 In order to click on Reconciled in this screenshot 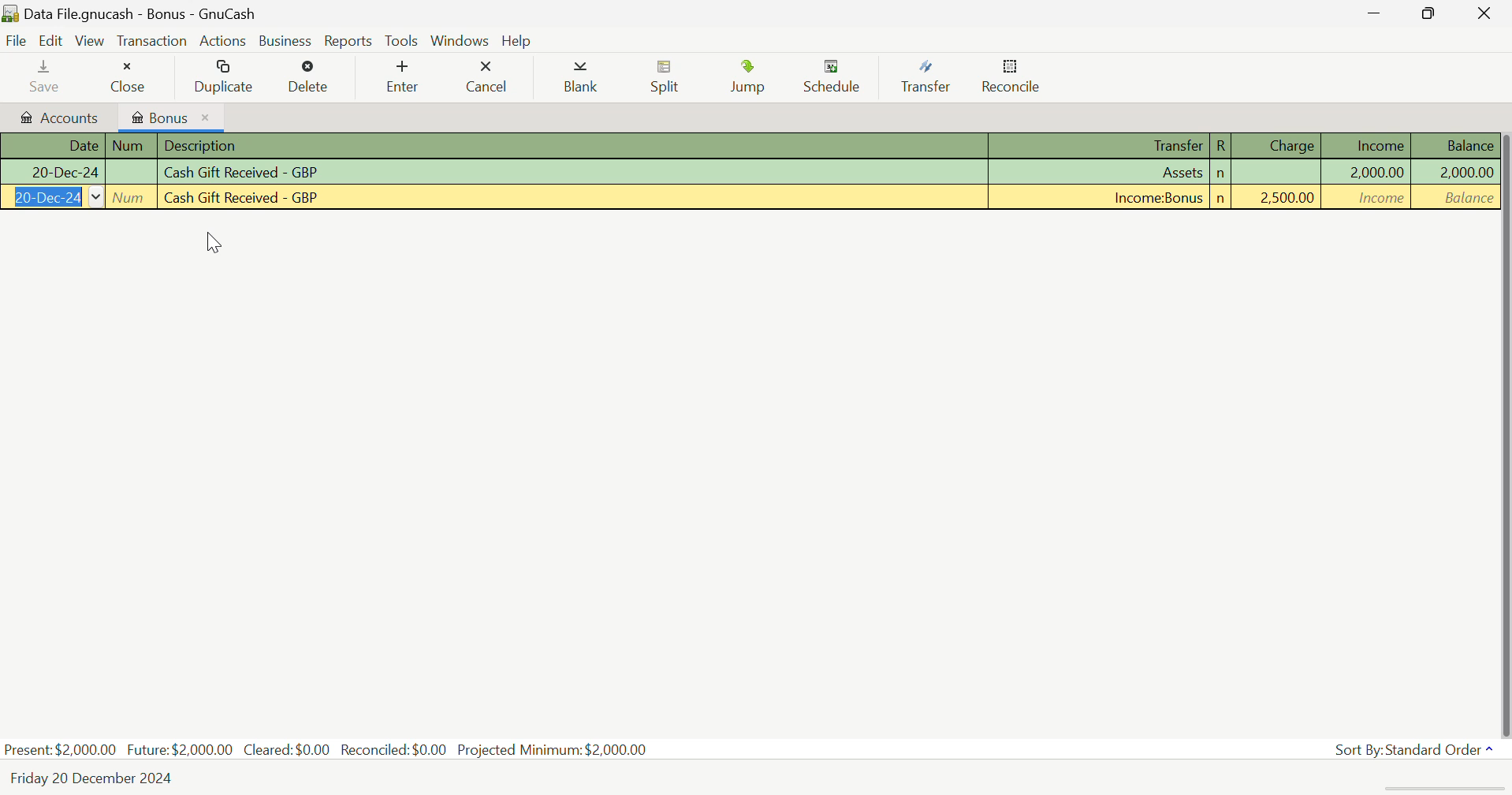, I will do `click(397, 748)`.